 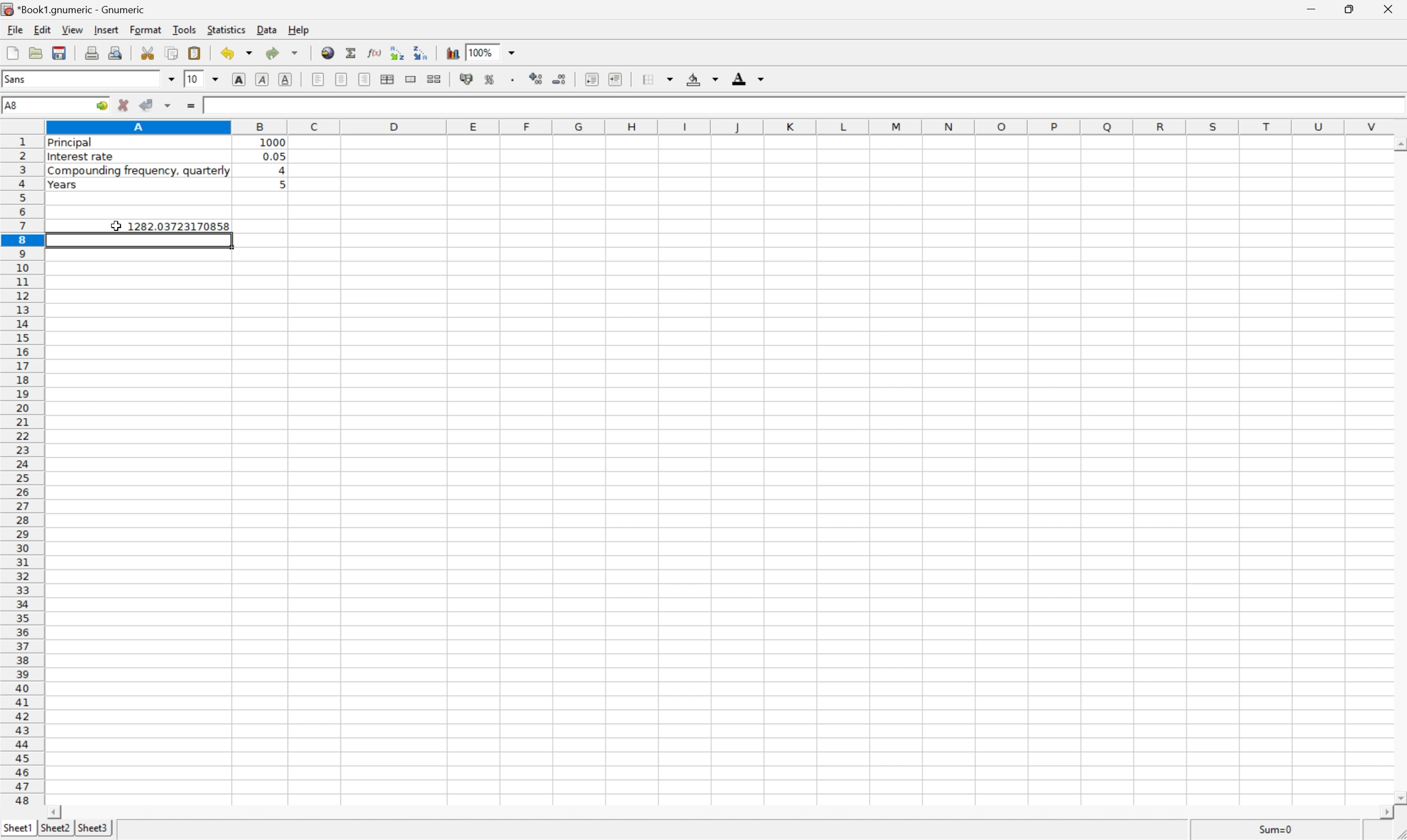 What do you see at coordinates (724, 126) in the screenshot?
I see `column number` at bounding box center [724, 126].